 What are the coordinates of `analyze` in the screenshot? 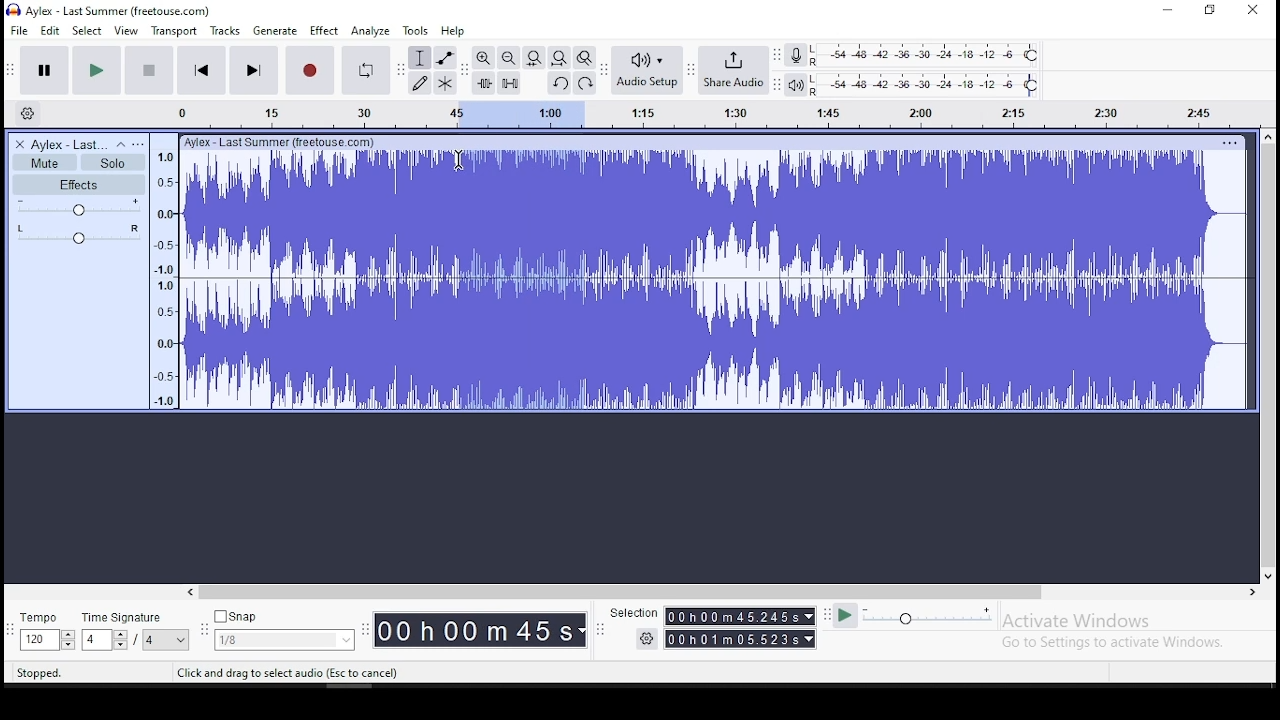 It's located at (372, 31).